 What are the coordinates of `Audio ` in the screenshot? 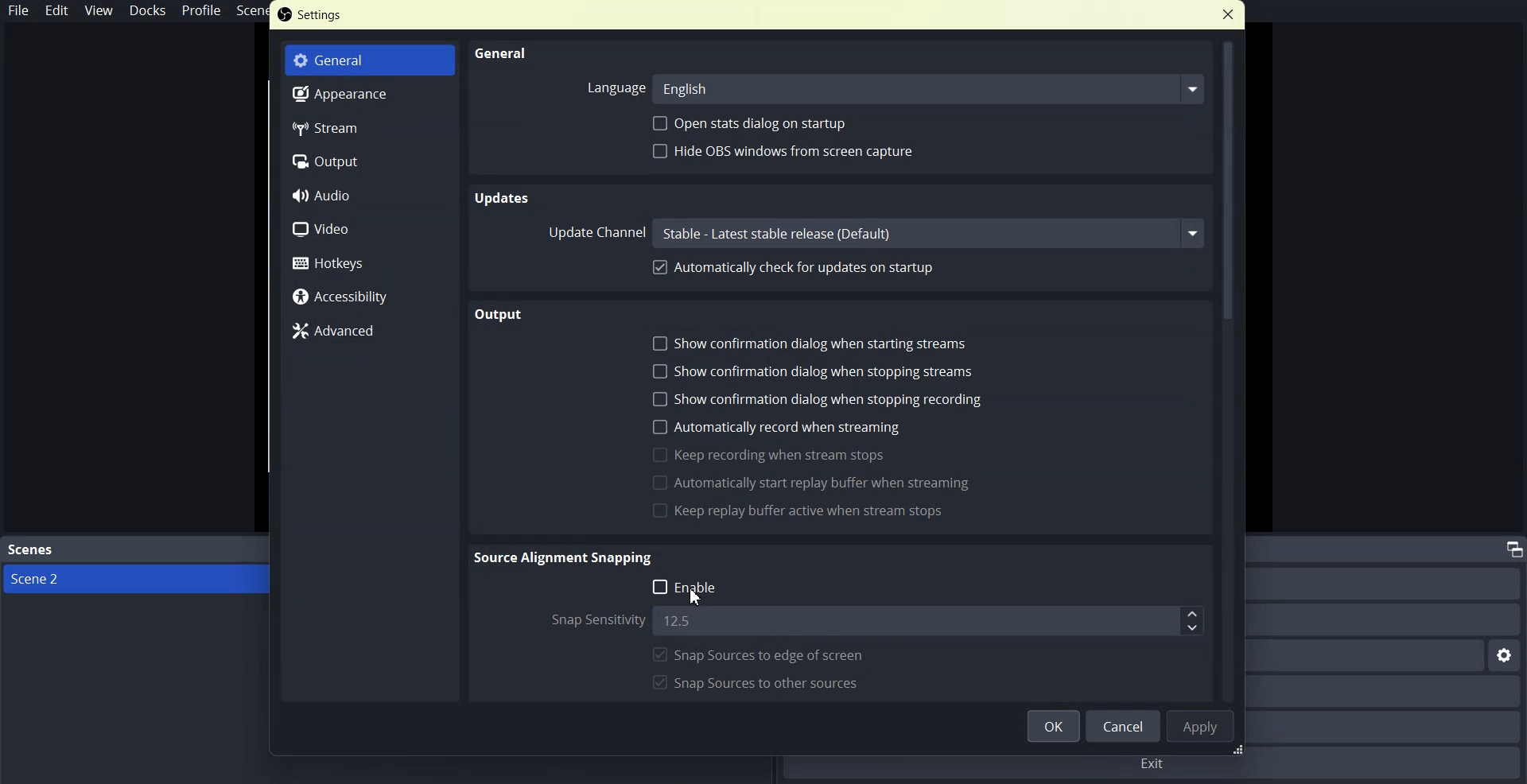 It's located at (370, 193).